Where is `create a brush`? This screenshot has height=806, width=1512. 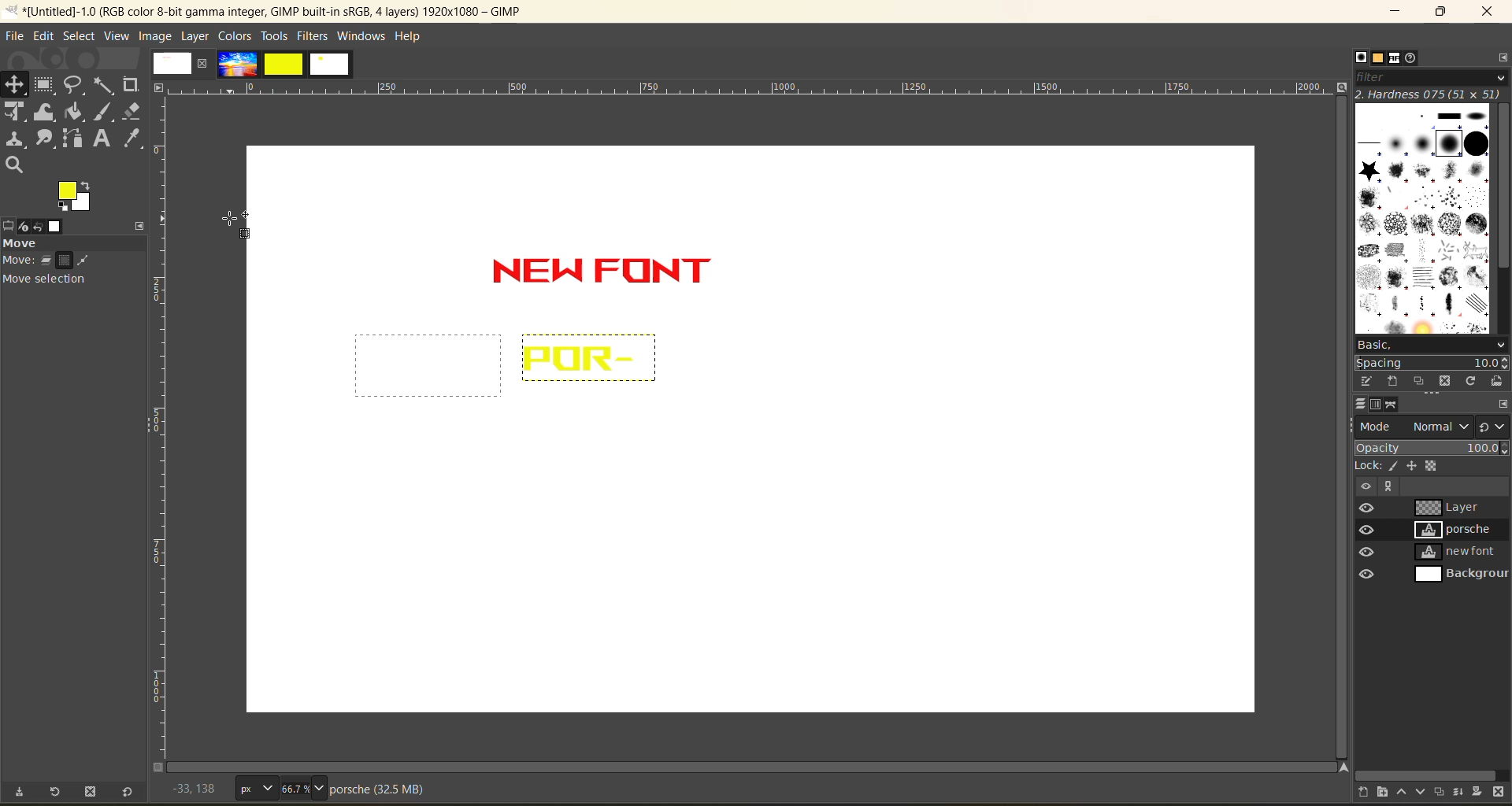 create a brush is located at coordinates (1384, 381).